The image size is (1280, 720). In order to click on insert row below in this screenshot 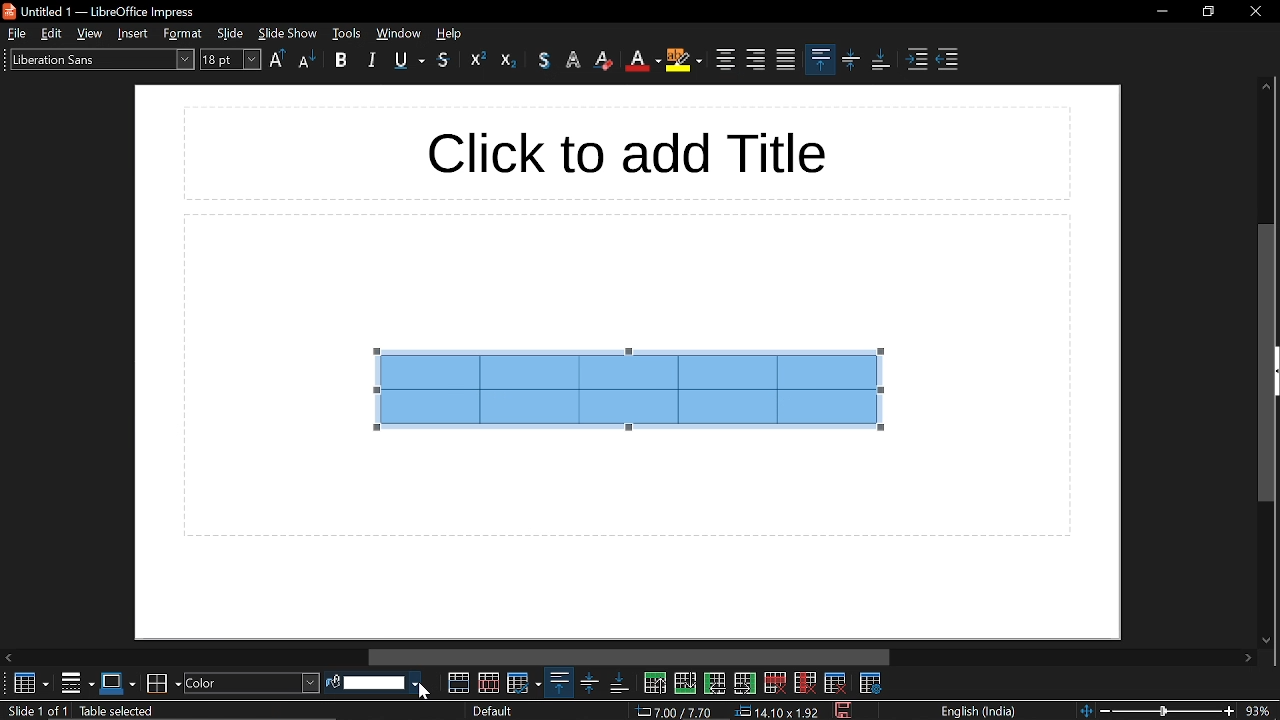, I will do `click(686, 682)`.